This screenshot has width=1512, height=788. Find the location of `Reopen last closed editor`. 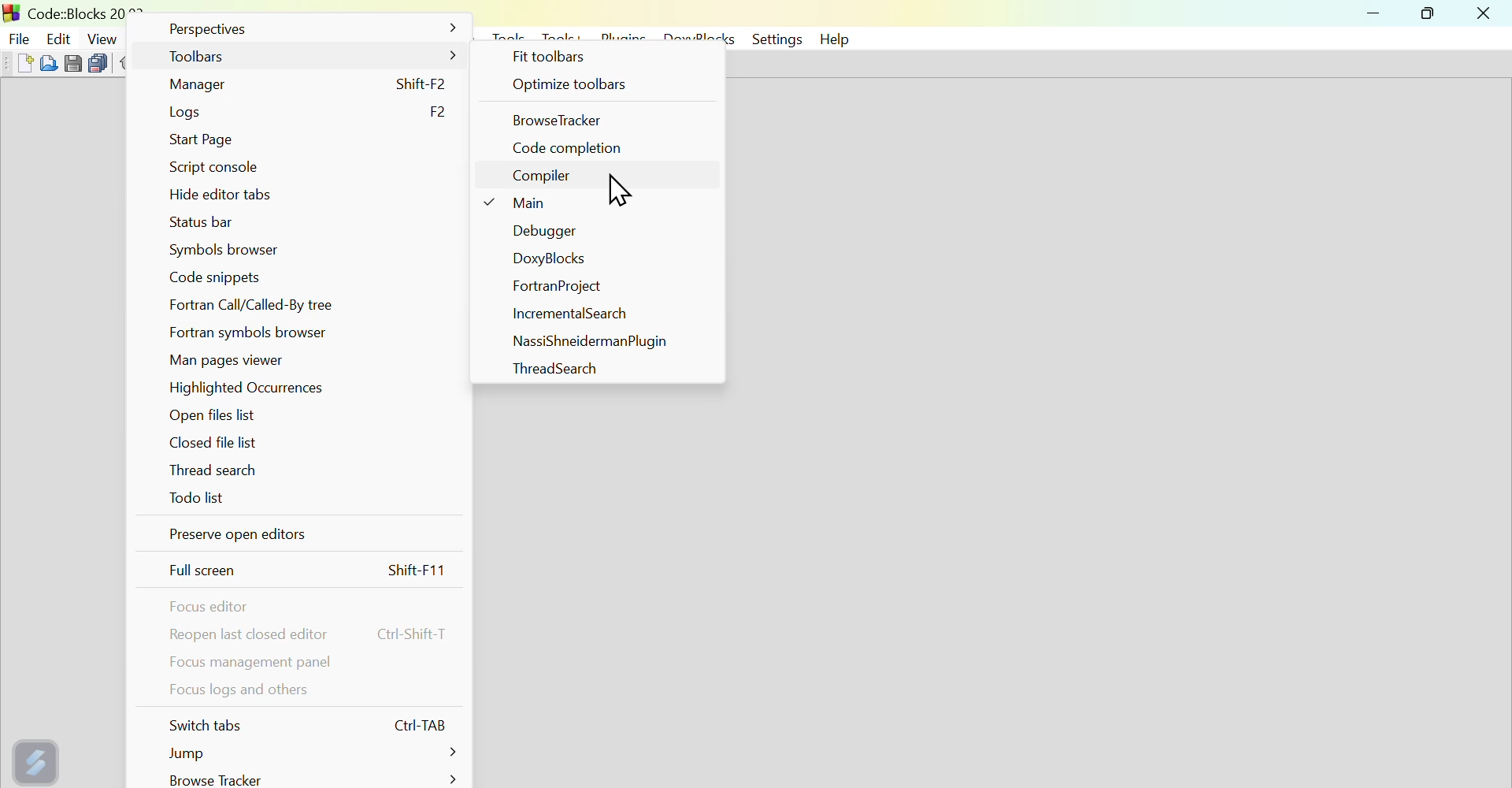

Reopen last closed editor is located at coordinates (313, 634).